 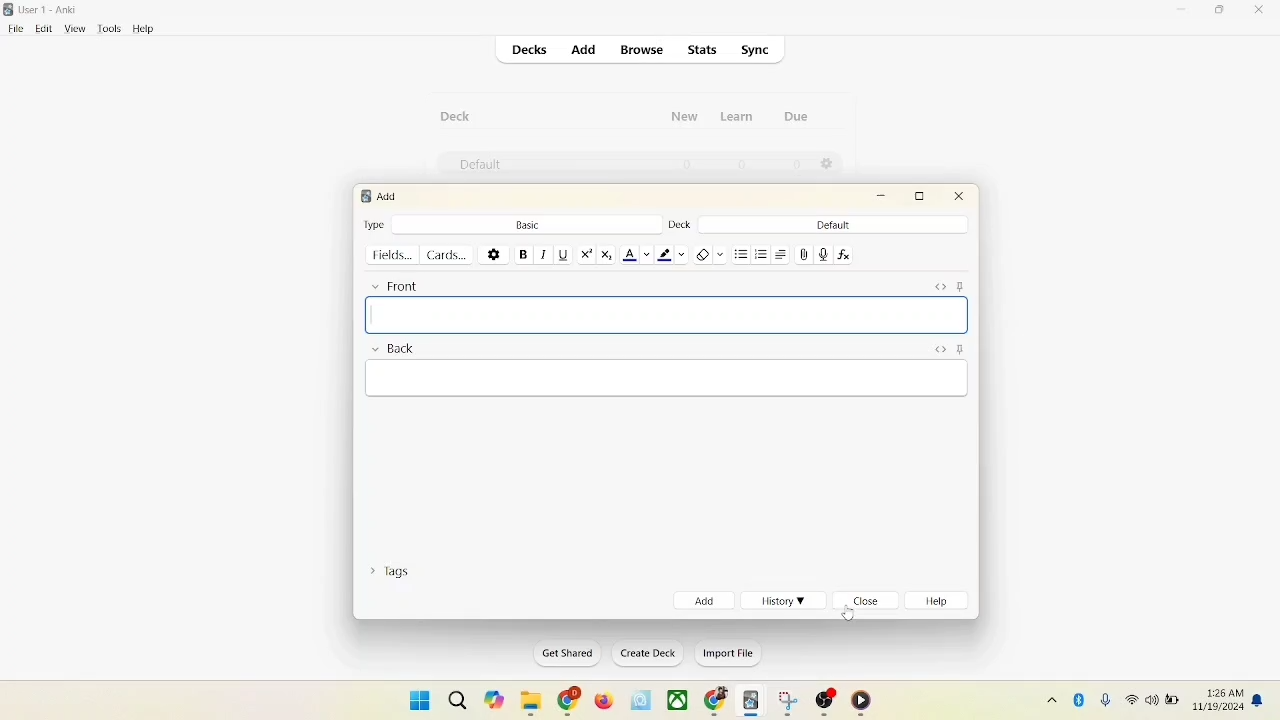 What do you see at coordinates (52, 10) in the screenshot?
I see `User1-Anki` at bounding box center [52, 10].